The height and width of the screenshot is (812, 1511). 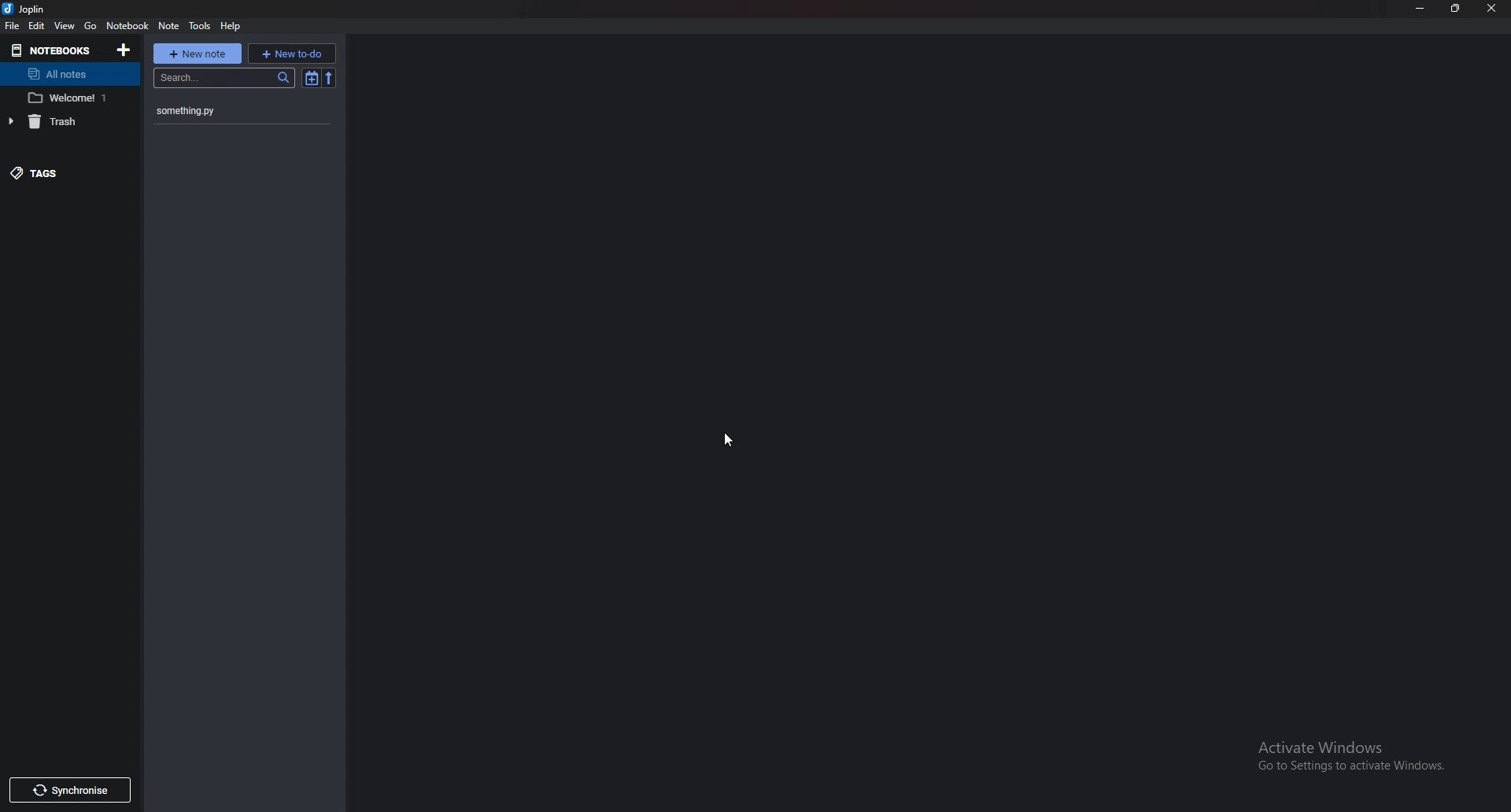 What do you see at coordinates (231, 26) in the screenshot?
I see `help` at bounding box center [231, 26].